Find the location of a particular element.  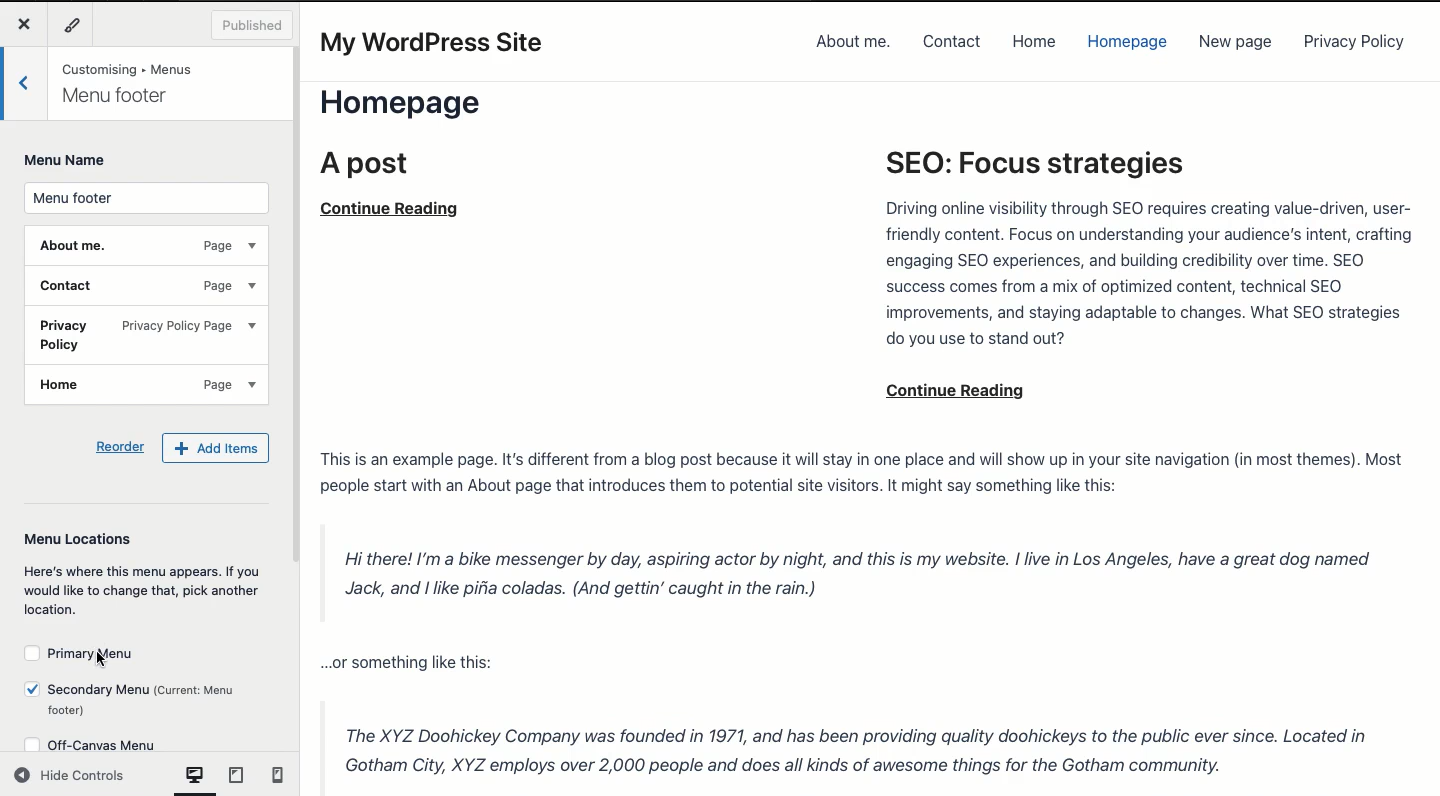

Hide controls is located at coordinates (72, 777).